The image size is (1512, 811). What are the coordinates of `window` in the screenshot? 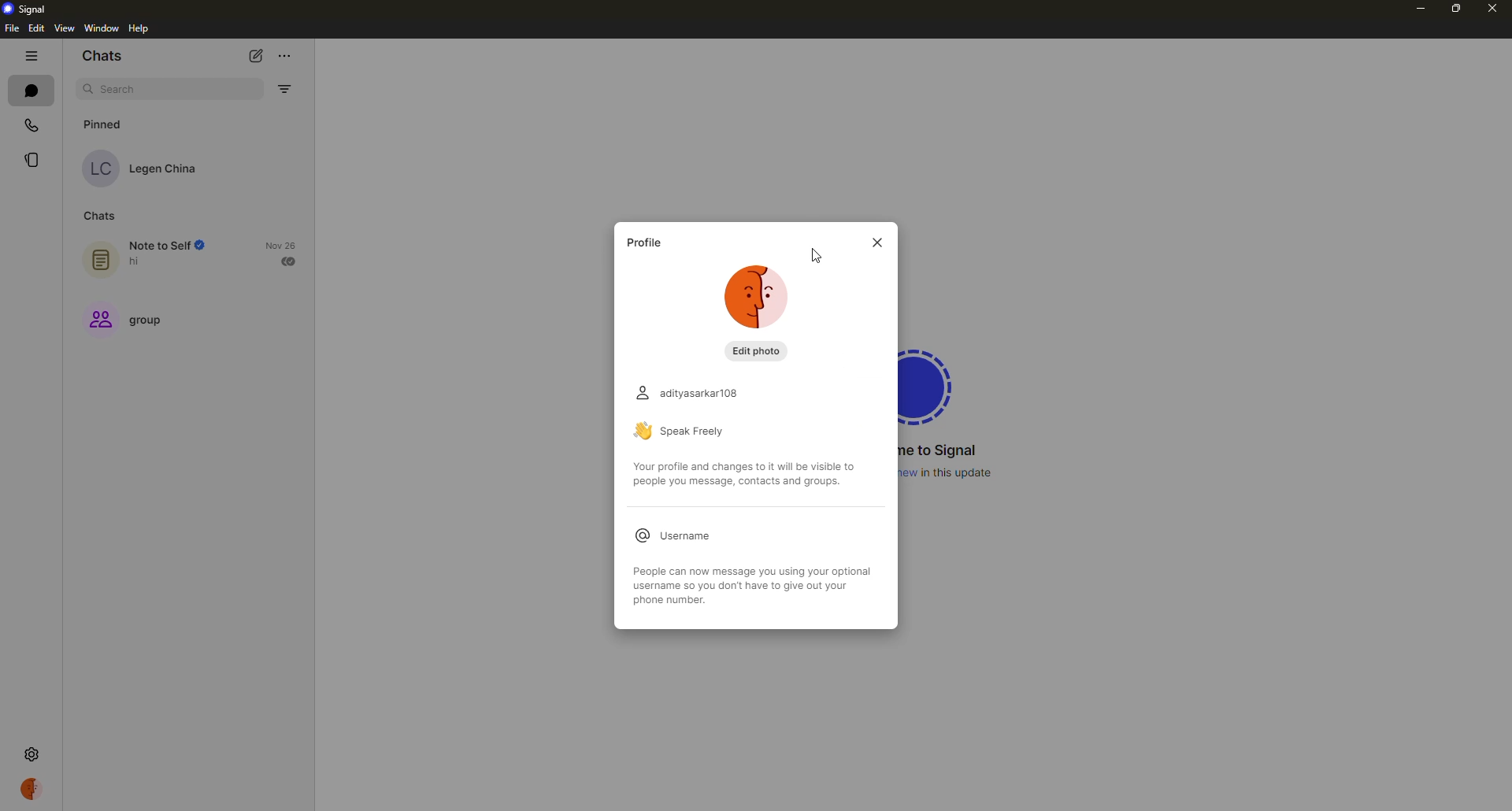 It's located at (102, 28).